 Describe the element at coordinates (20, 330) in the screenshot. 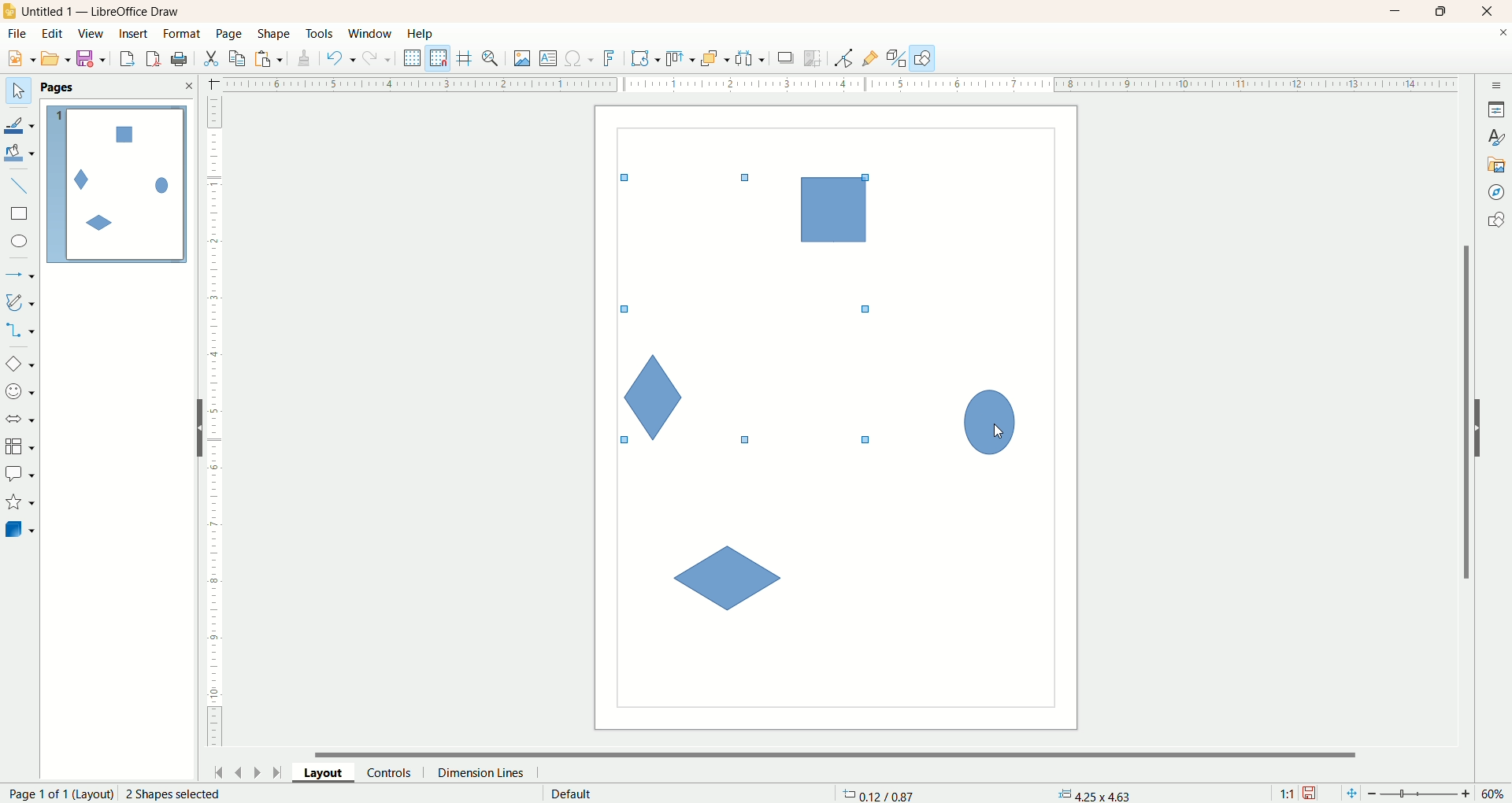

I see `connectors` at that location.